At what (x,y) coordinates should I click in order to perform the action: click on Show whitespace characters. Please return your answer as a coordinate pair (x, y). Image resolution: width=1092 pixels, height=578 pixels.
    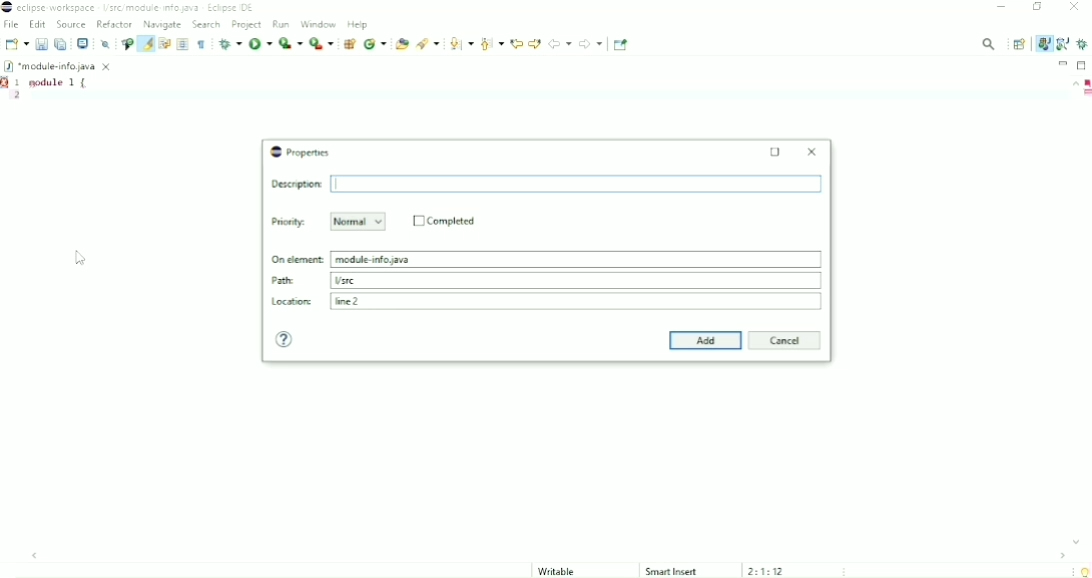
    Looking at the image, I should click on (201, 44).